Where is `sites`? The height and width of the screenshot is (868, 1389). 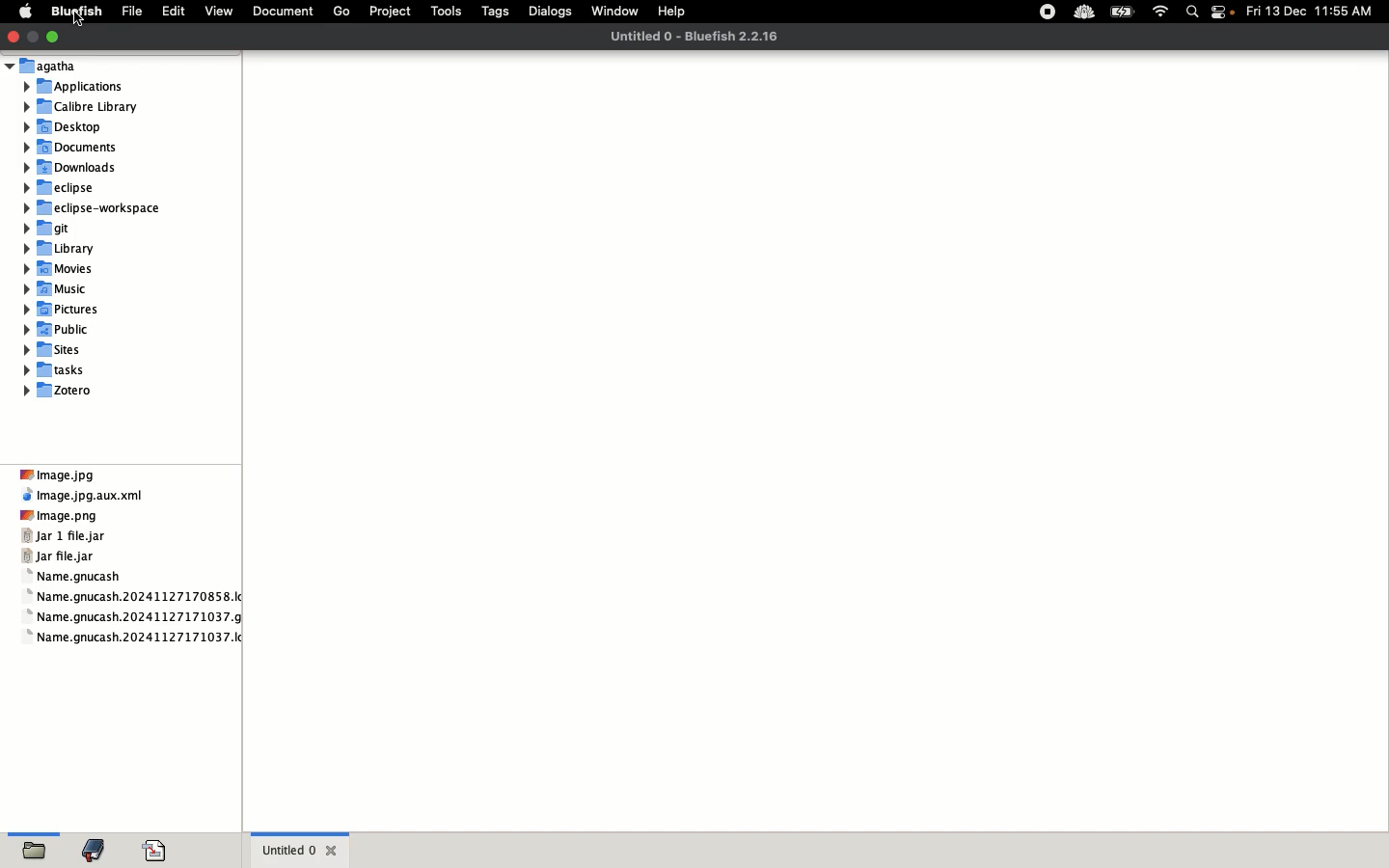
sites is located at coordinates (58, 349).